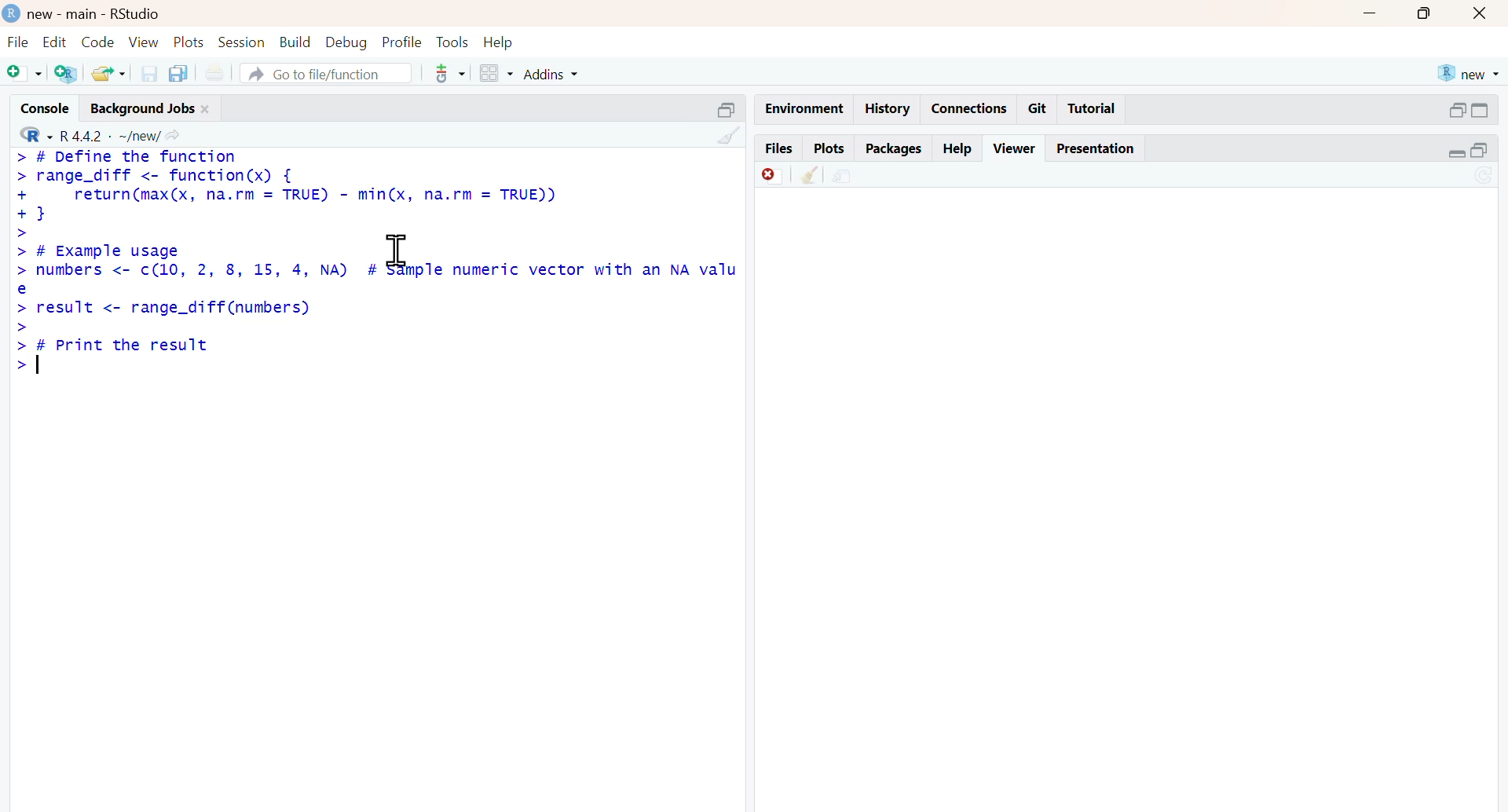  What do you see at coordinates (1458, 154) in the screenshot?
I see `Collapse /expand` at bounding box center [1458, 154].